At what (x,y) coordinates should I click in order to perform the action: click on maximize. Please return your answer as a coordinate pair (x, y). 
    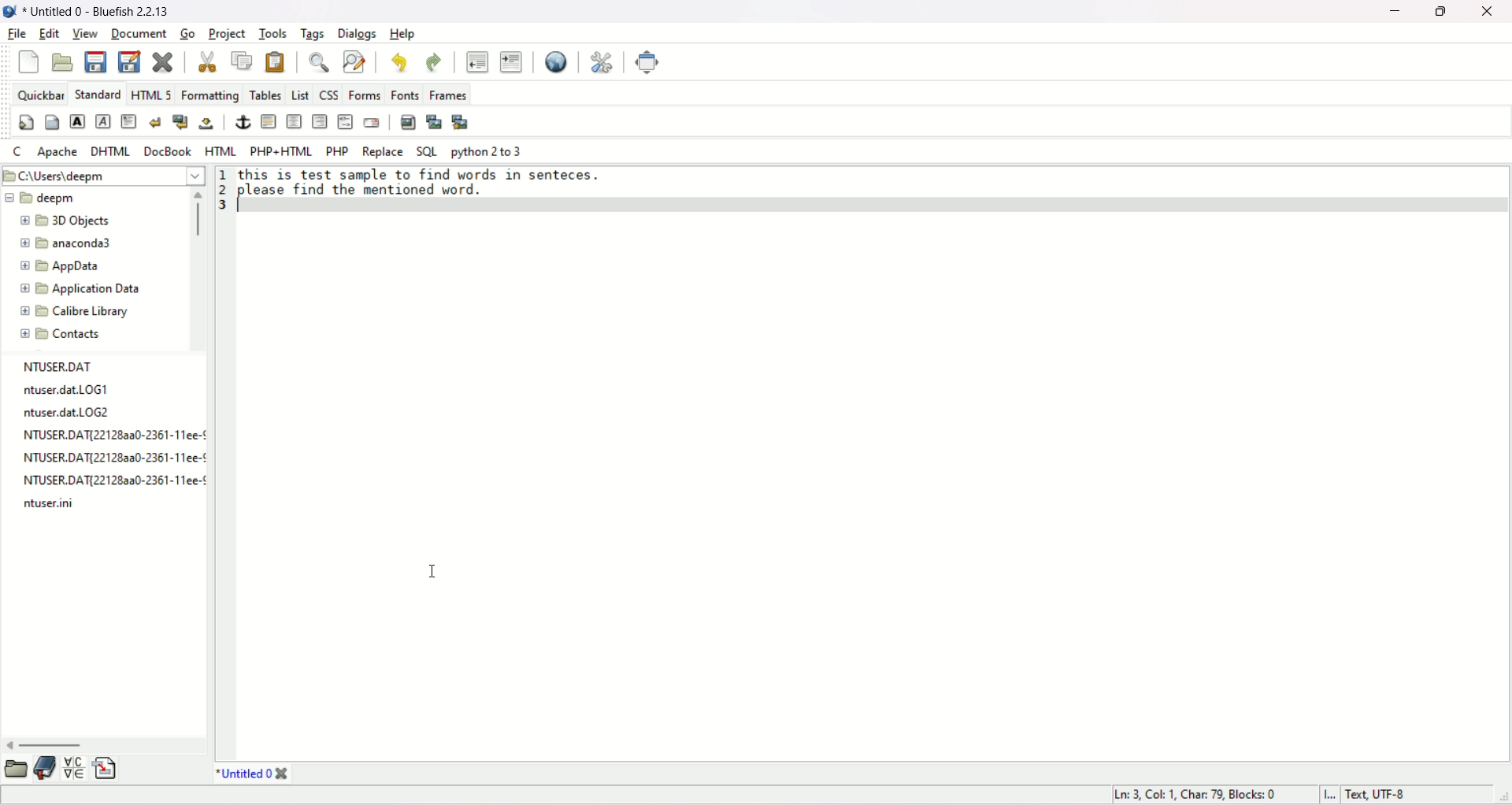
    Looking at the image, I should click on (1443, 12).